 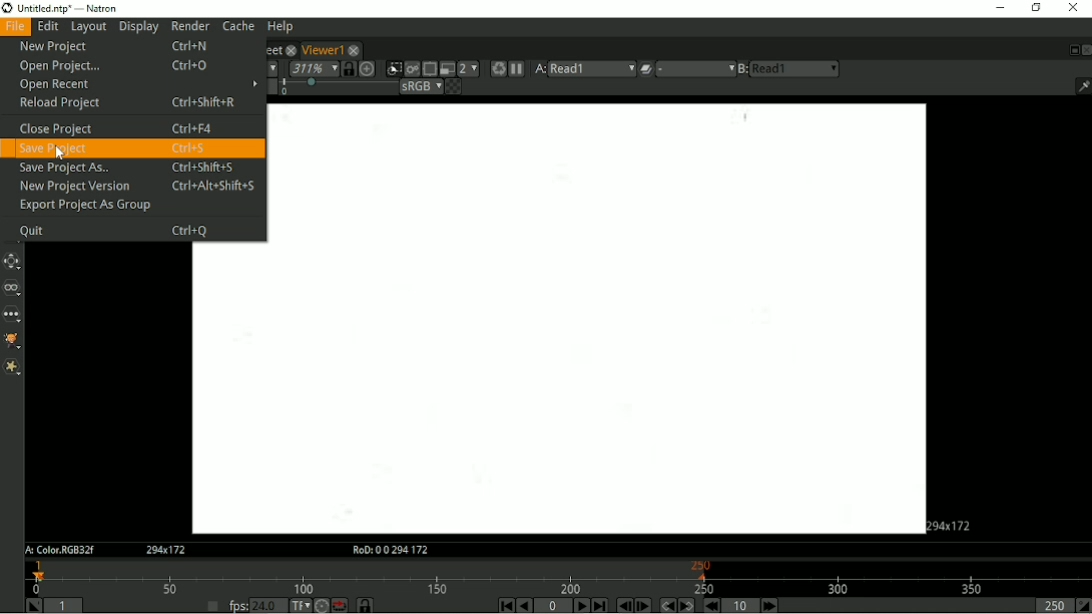 What do you see at coordinates (129, 168) in the screenshot?
I see `Save Project As` at bounding box center [129, 168].